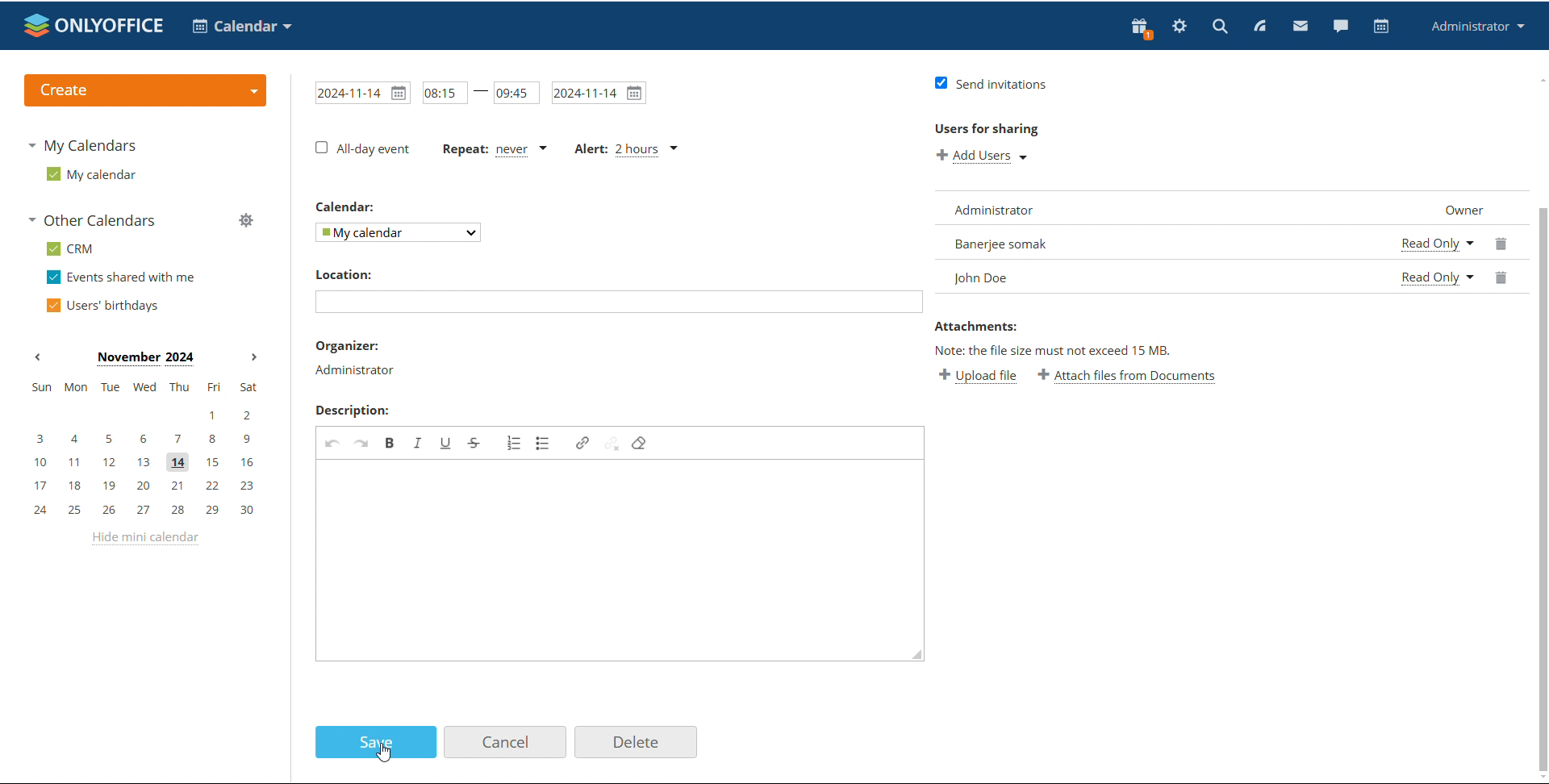 The image size is (1549, 784). What do you see at coordinates (975, 326) in the screenshot?
I see `Attachments` at bounding box center [975, 326].